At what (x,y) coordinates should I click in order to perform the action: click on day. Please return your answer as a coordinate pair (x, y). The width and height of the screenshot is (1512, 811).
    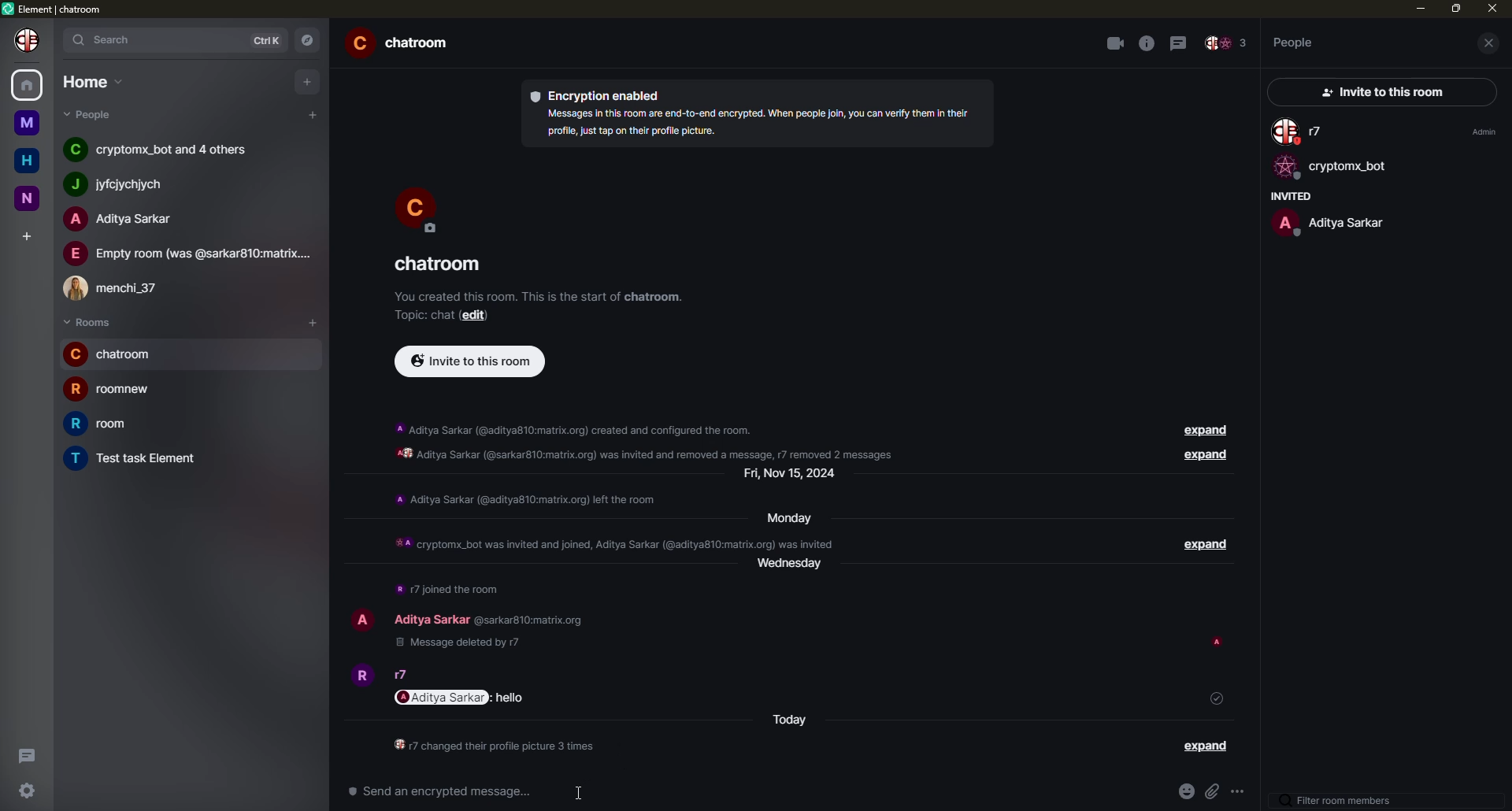
    Looking at the image, I should click on (795, 570).